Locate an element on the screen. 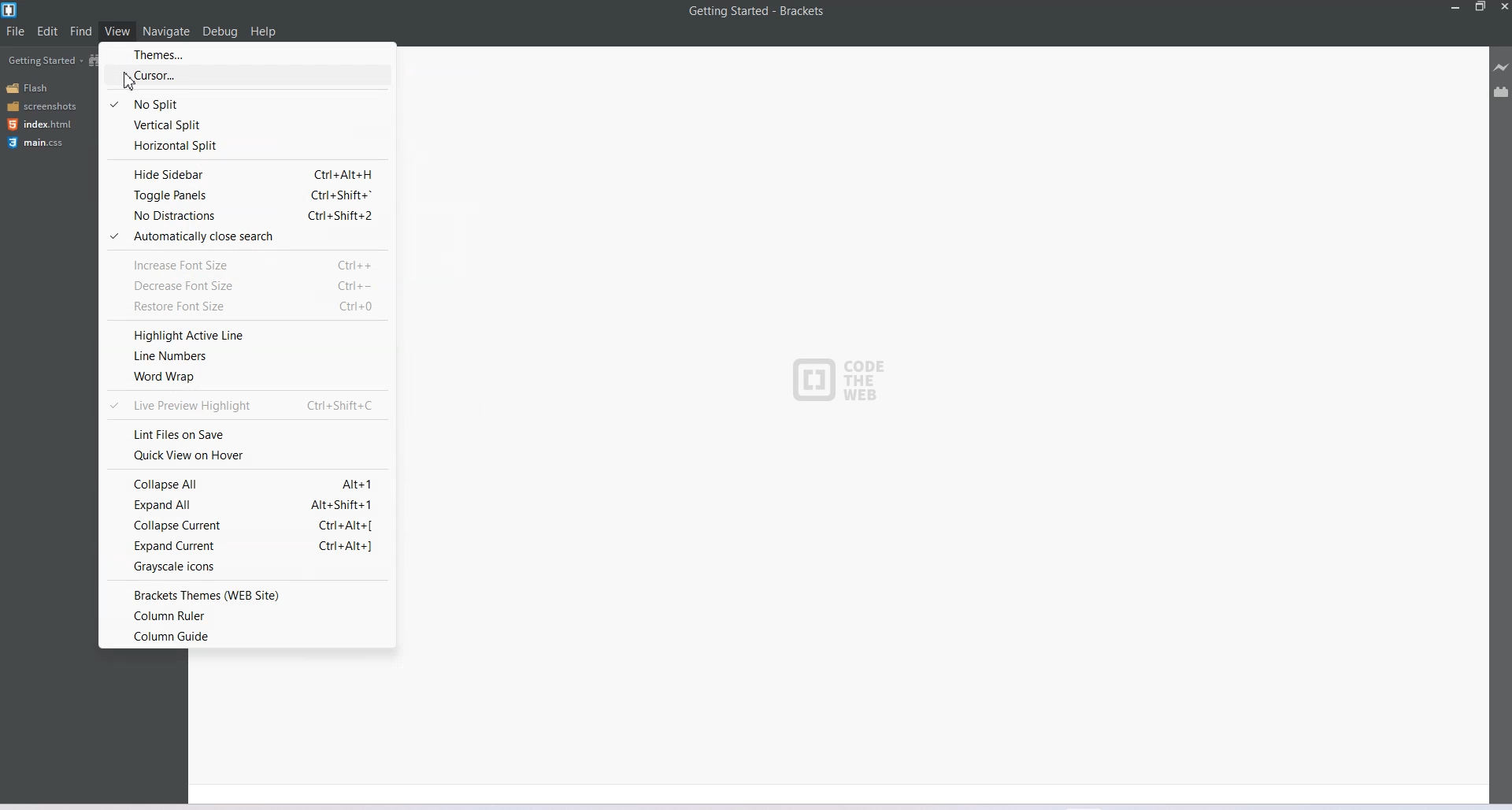  Highlight active line is located at coordinates (244, 333).